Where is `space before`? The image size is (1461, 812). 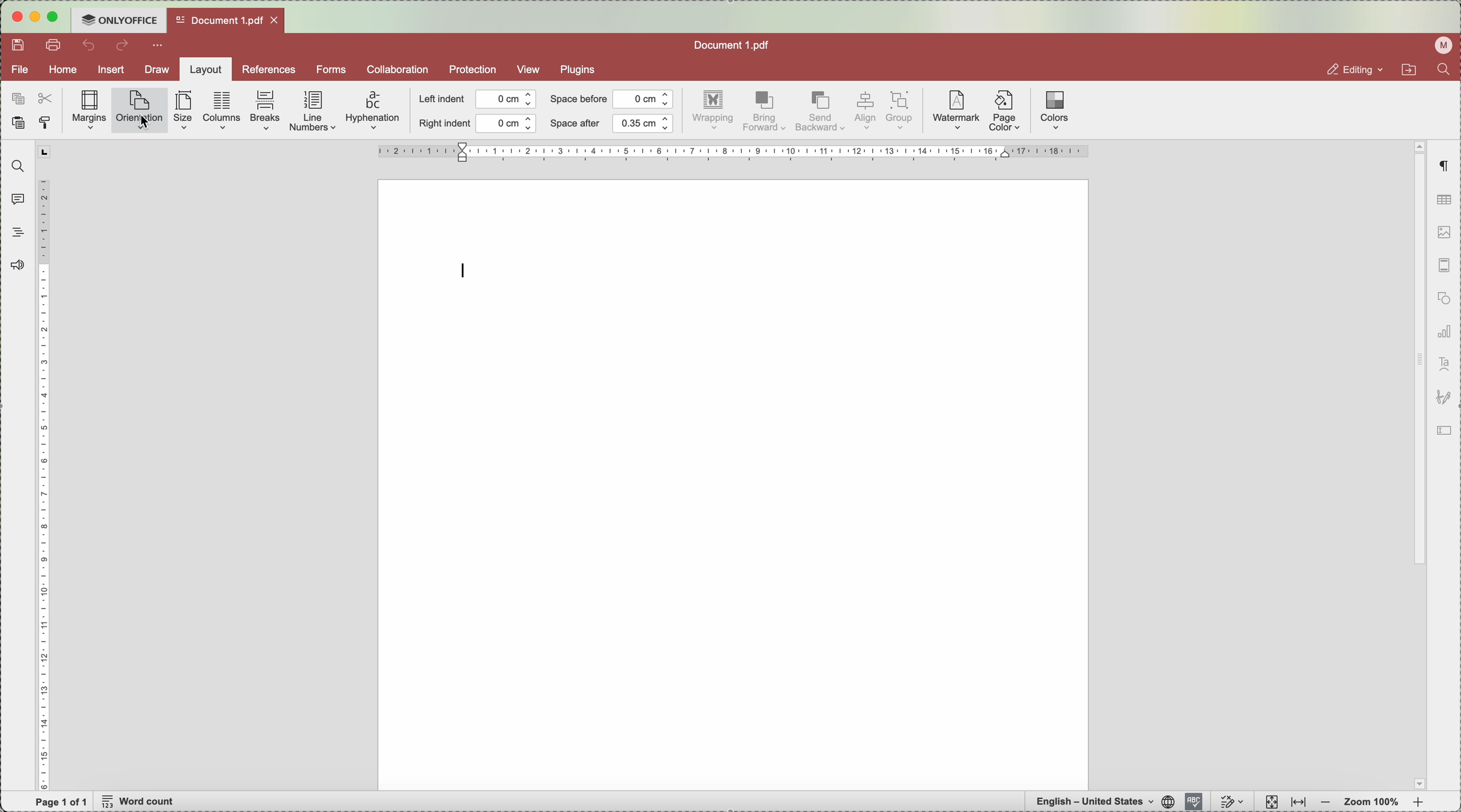 space before is located at coordinates (611, 99).